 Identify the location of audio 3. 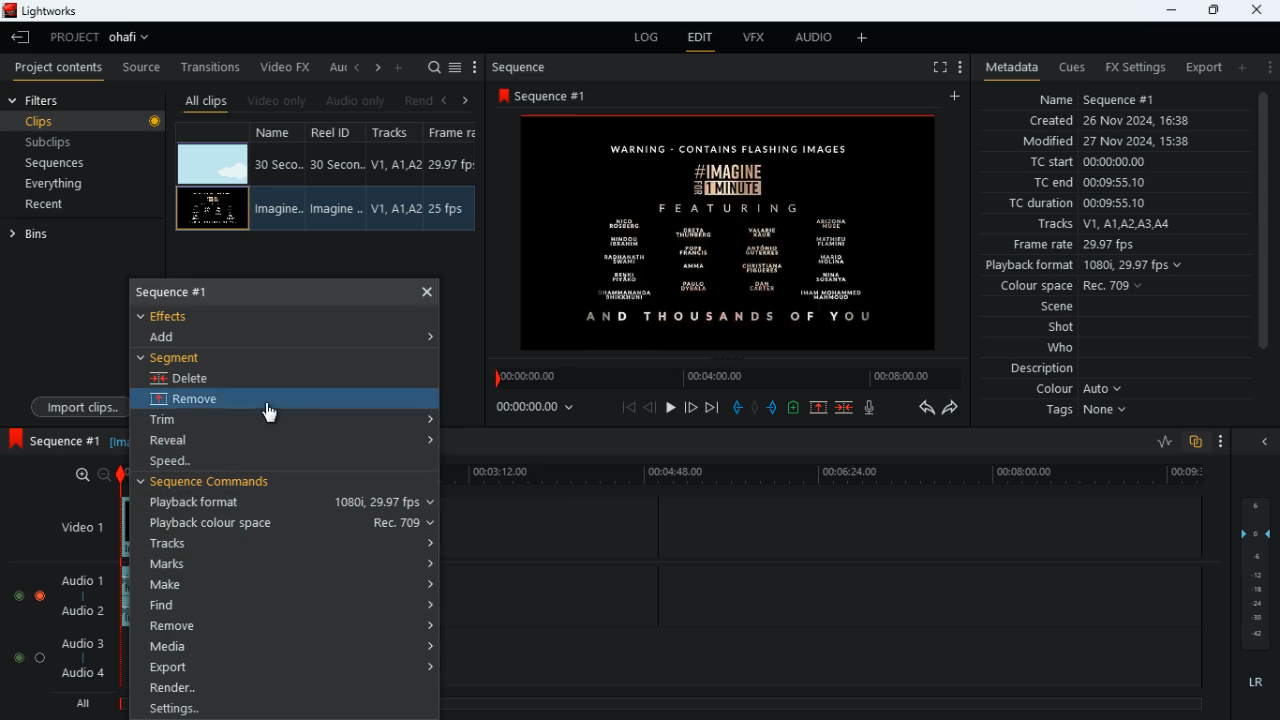
(83, 644).